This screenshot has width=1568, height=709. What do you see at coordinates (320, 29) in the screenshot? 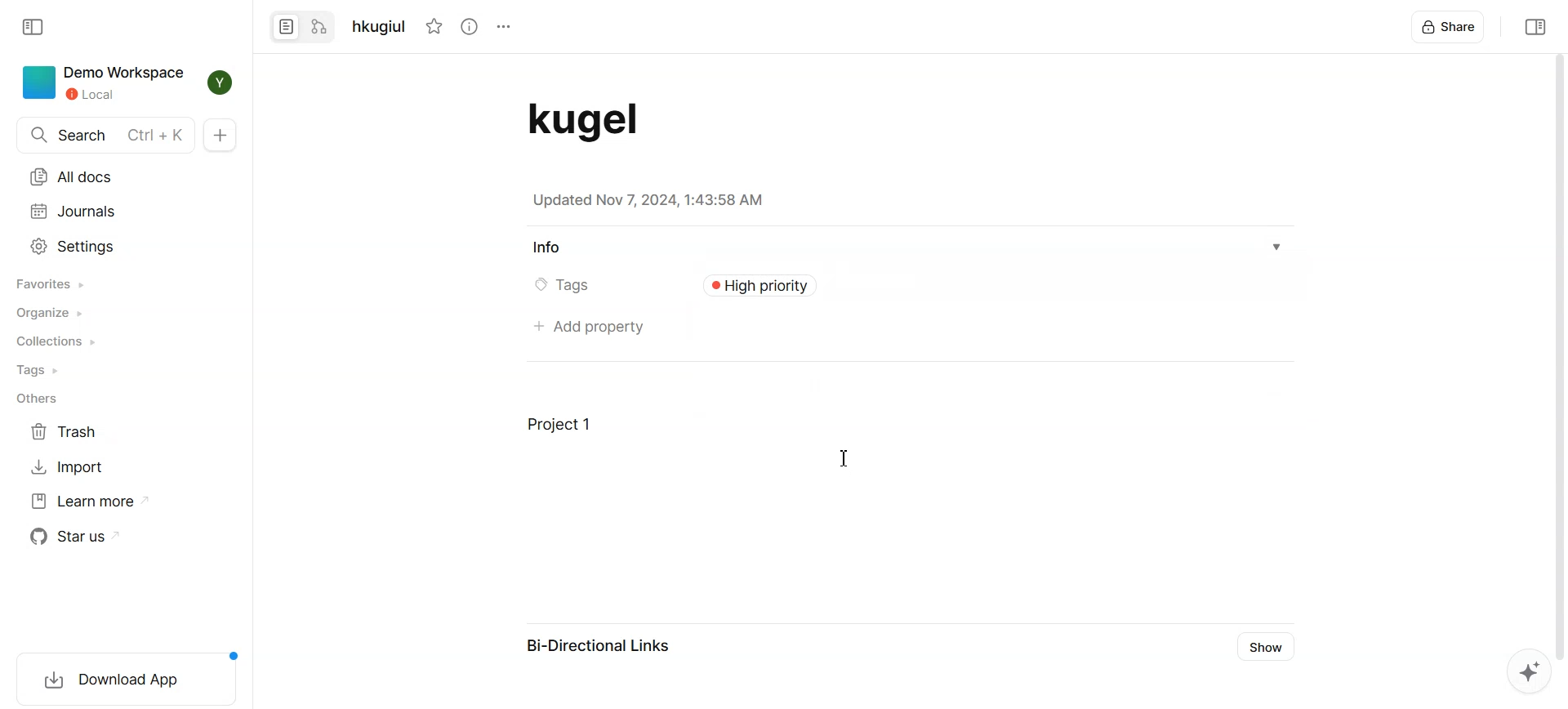
I see `Convert to edgeless` at bounding box center [320, 29].